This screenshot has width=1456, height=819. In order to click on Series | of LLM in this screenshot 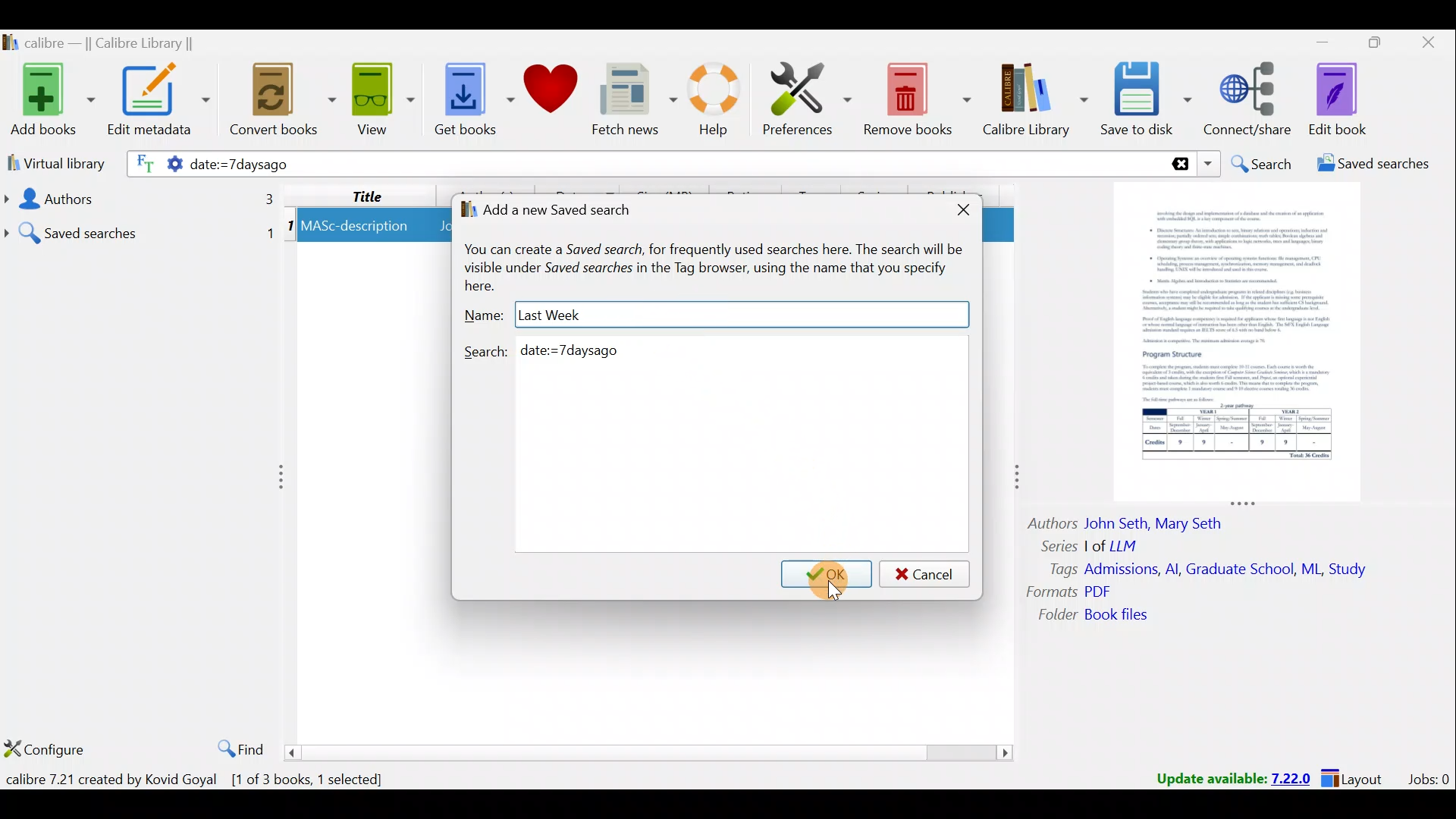, I will do `click(1097, 544)`.